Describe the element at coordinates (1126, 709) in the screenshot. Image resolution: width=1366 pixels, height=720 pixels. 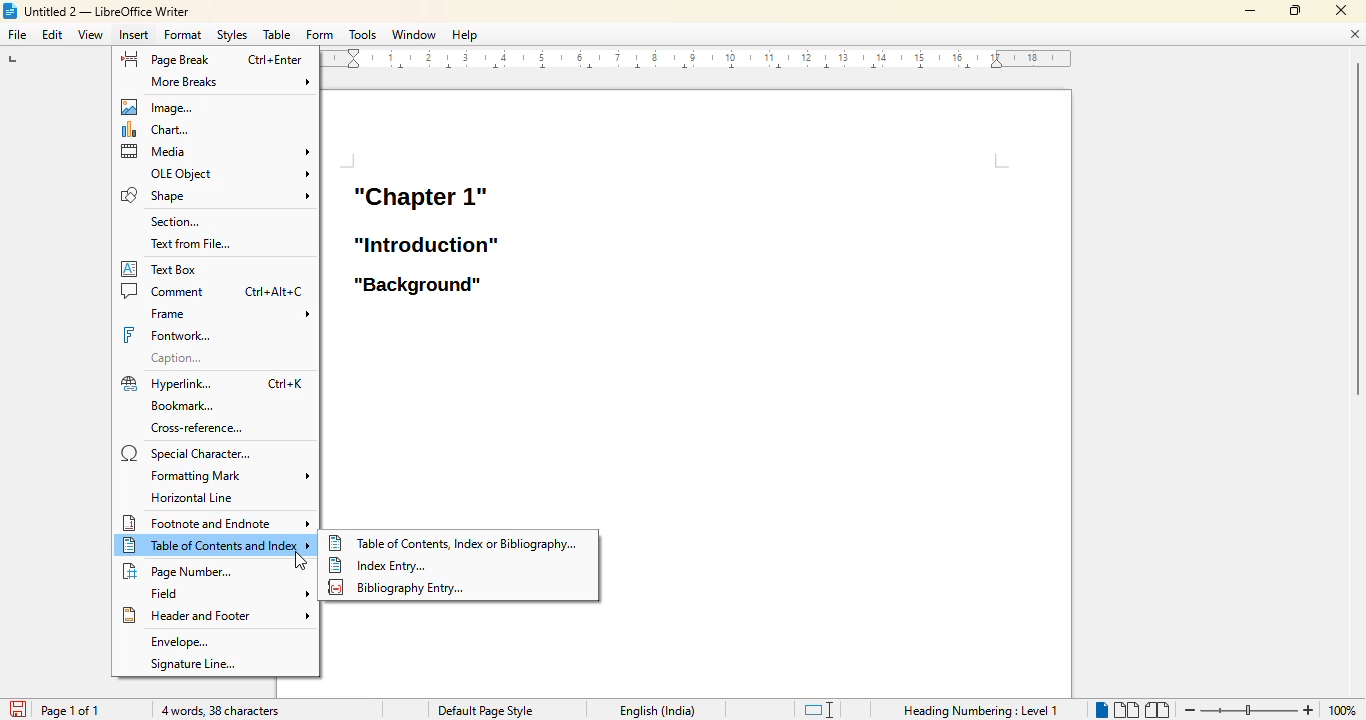
I see `multi-page view` at that location.